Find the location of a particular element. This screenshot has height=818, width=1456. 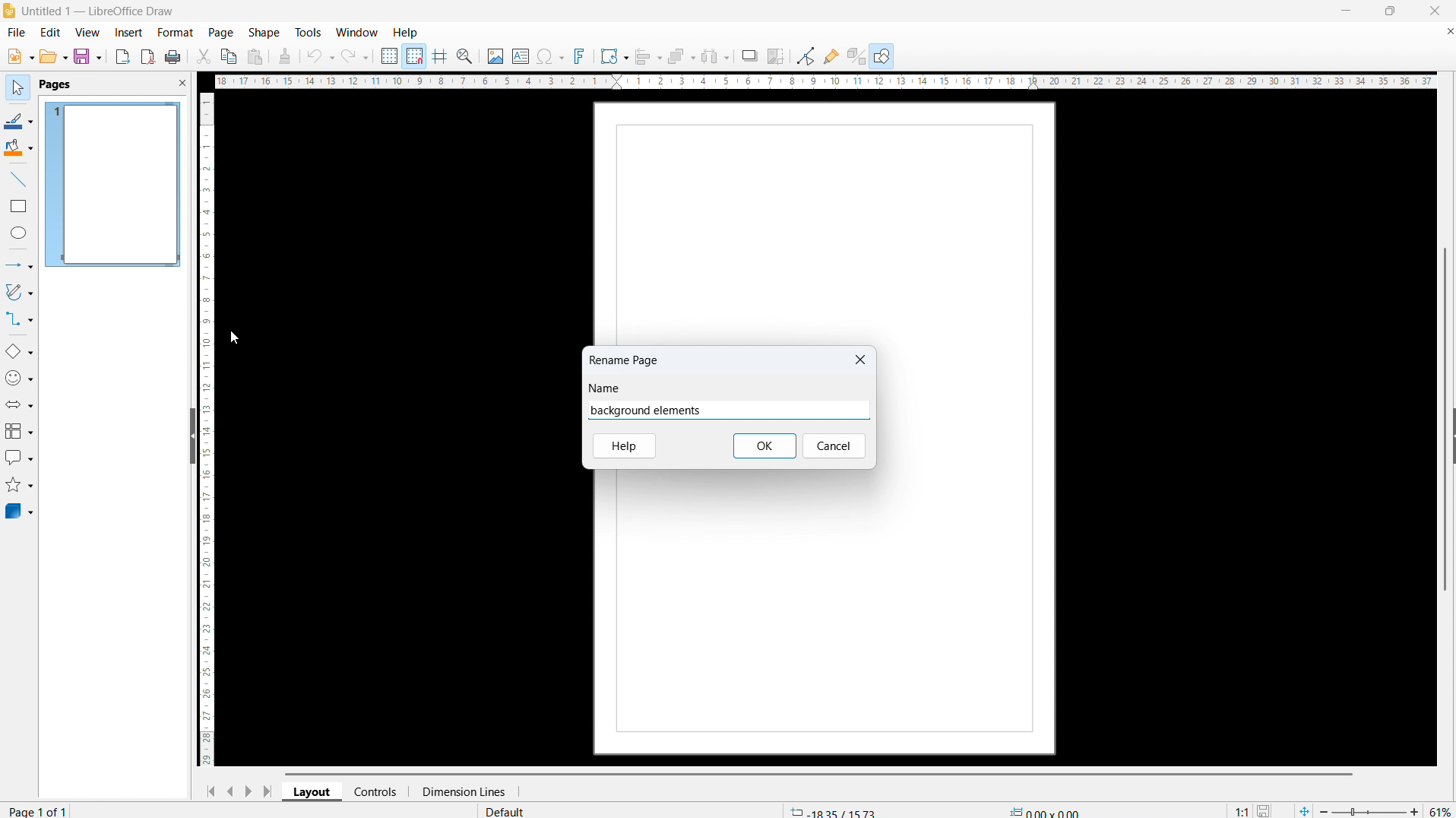

Help is located at coordinates (624, 447).